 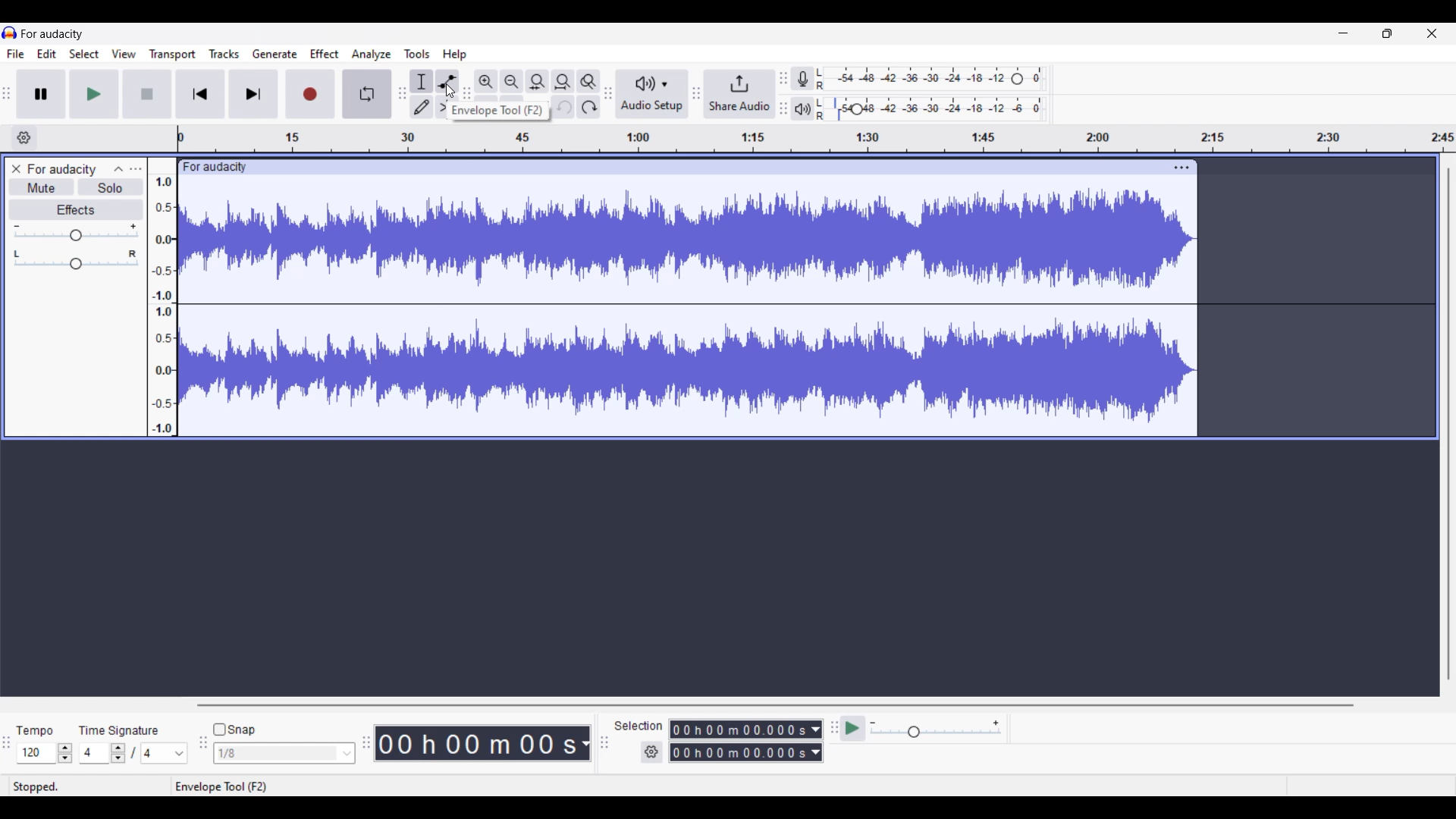 I want to click on Current duration, so click(x=475, y=743).